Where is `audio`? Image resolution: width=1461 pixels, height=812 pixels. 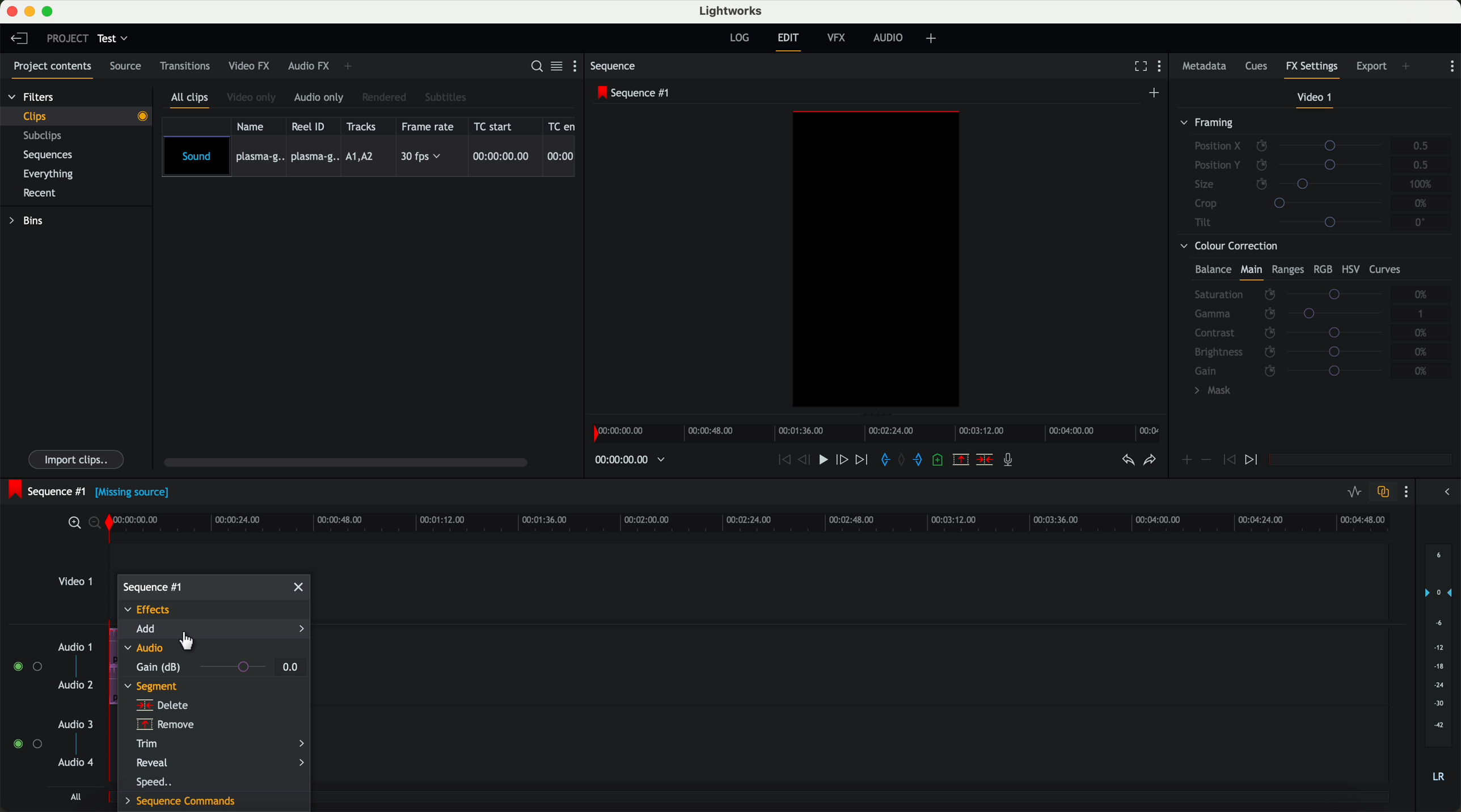 audio is located at coordinates (891, 39).